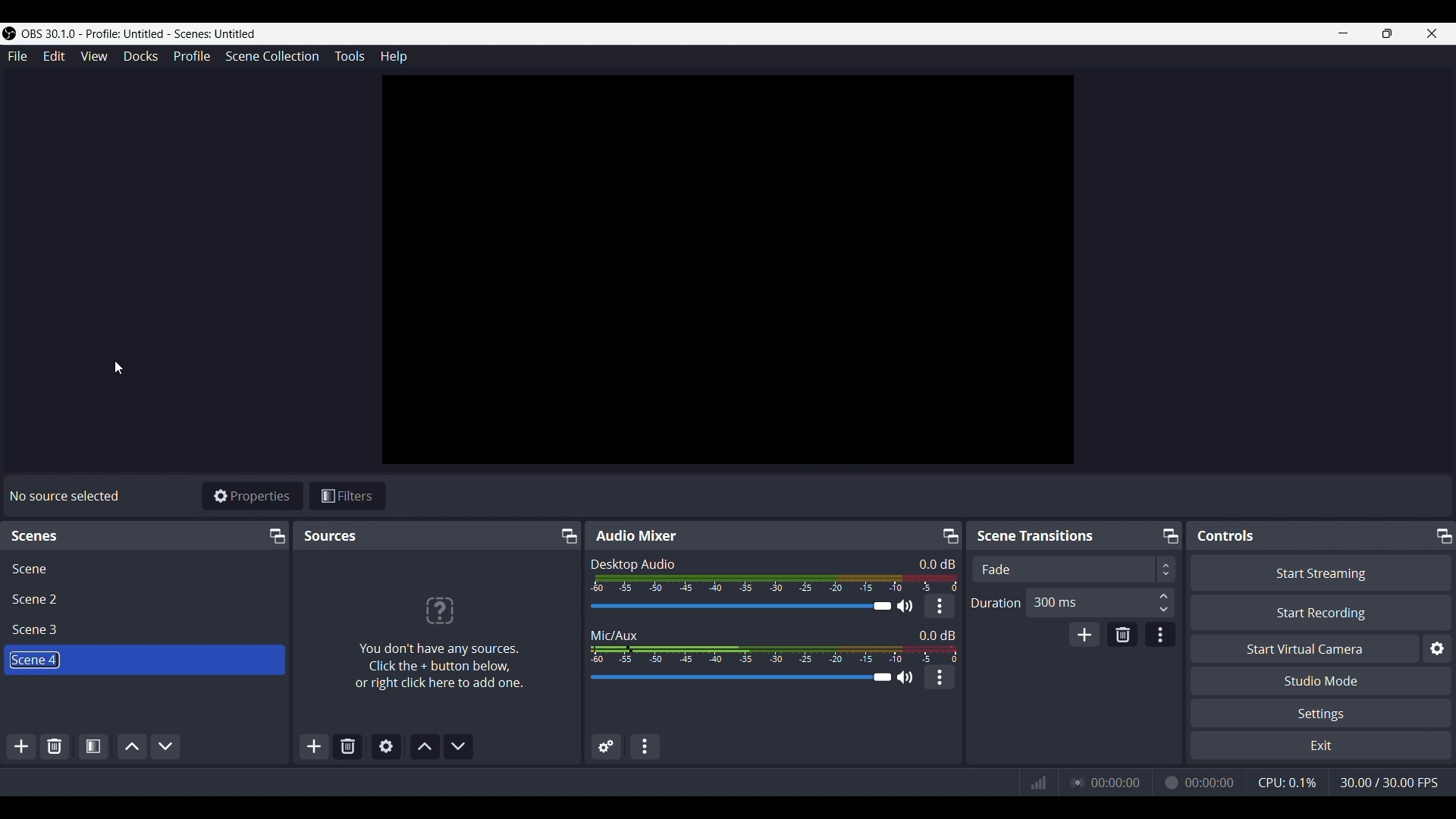 The height and width of the screenshot is (819, 1456). Describe the element at coordinates (438, 609) in the screenshot. I see `?` at that location.